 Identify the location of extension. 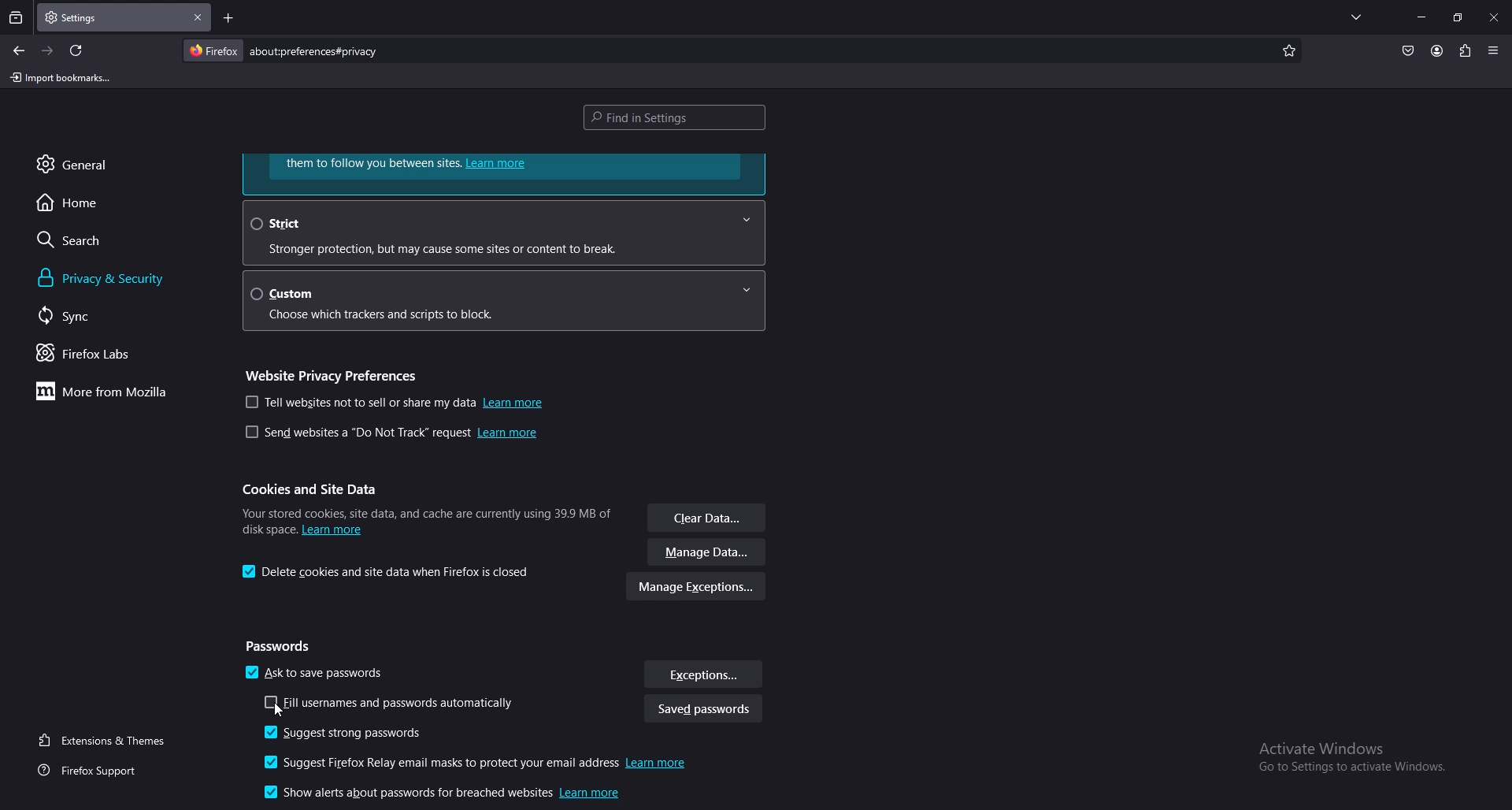
(1464, 50).